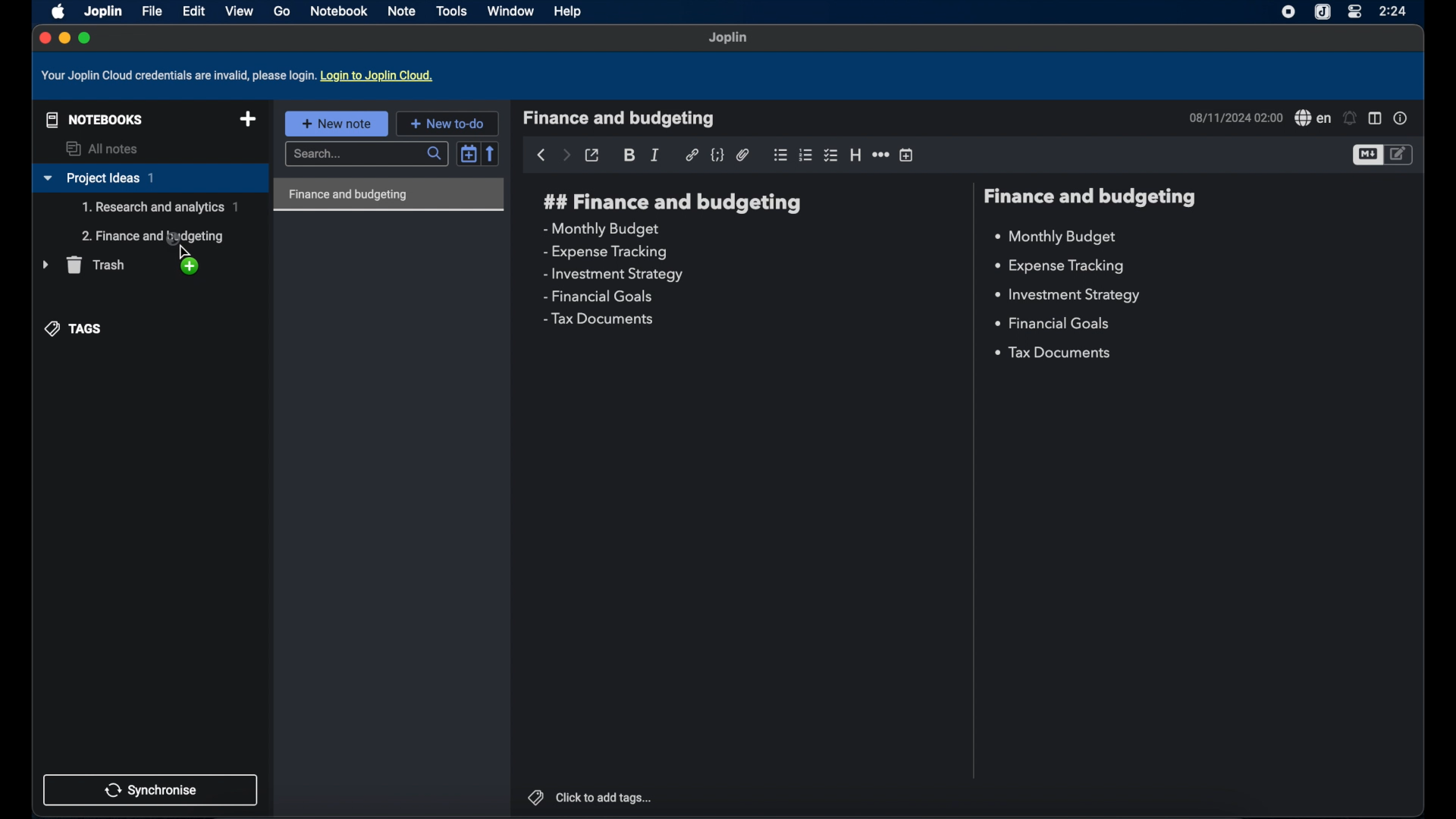 This screenshot has height=819, width=1456. What do you see at coordinates (656, 155) in the screenshot?
I see `italic` at bounding box center [656, 155].